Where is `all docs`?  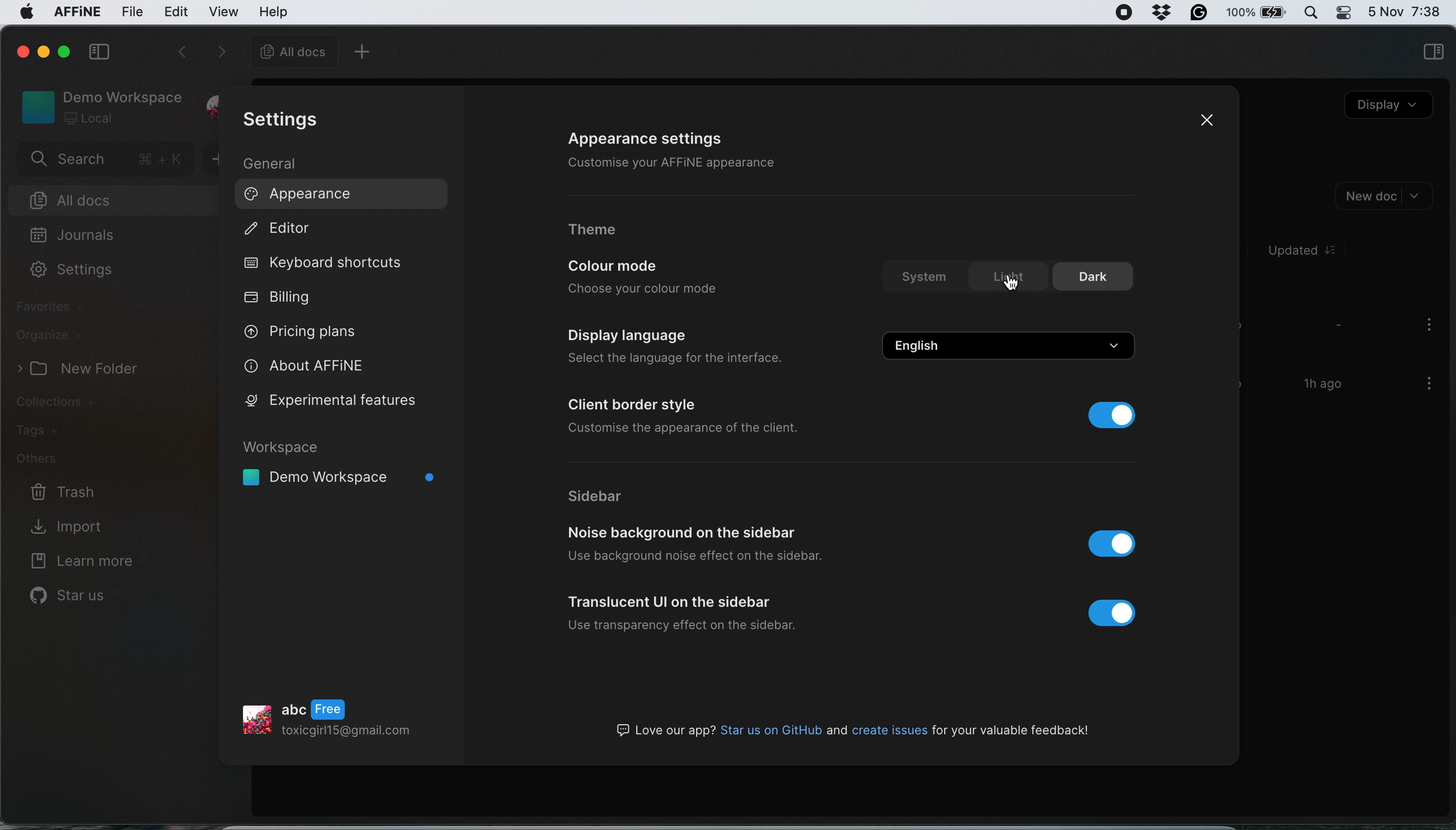
all docs is located at coordinates (290, 51).